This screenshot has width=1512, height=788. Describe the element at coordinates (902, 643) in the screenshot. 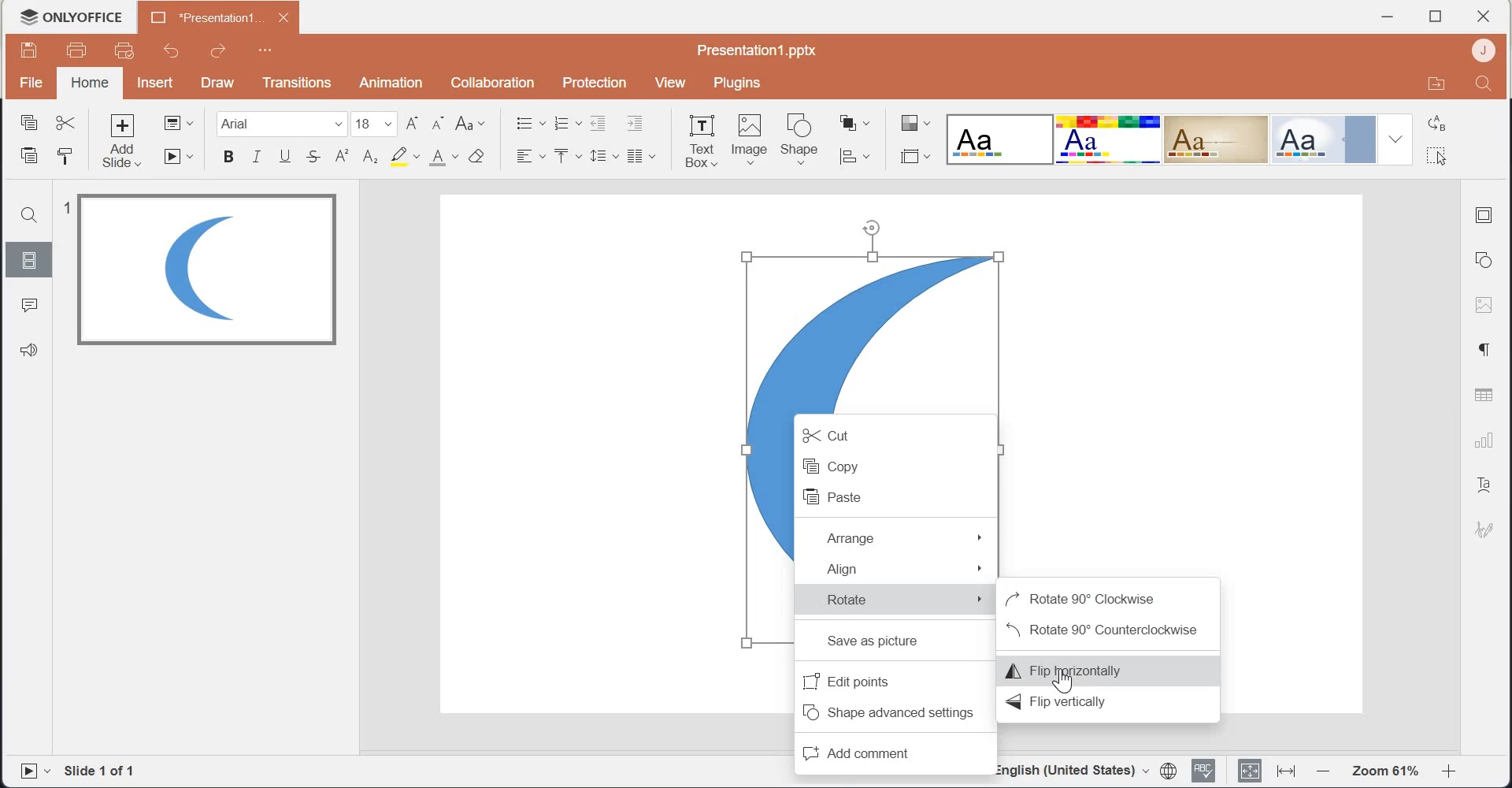

I see `Save as picture` at that location.